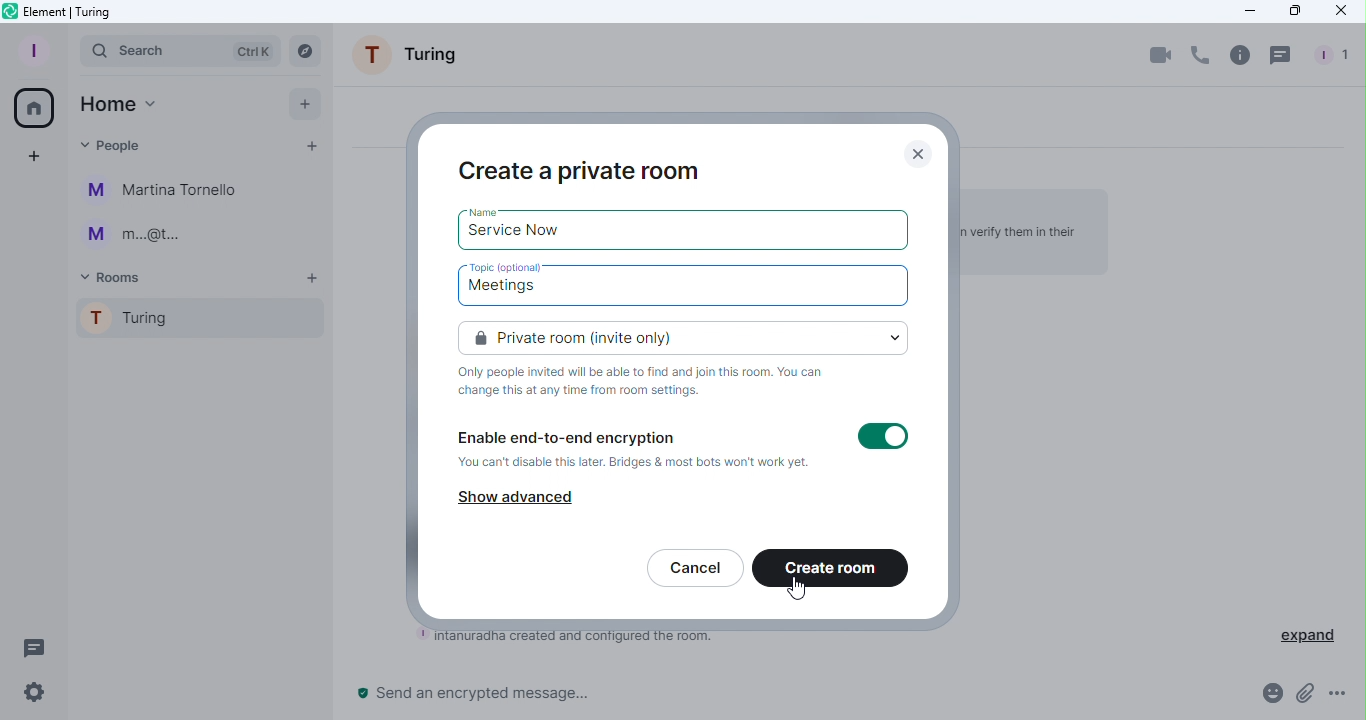  Describe the element at coordinates (310, 149) in the screenshot. I see `Start chat` at that location.